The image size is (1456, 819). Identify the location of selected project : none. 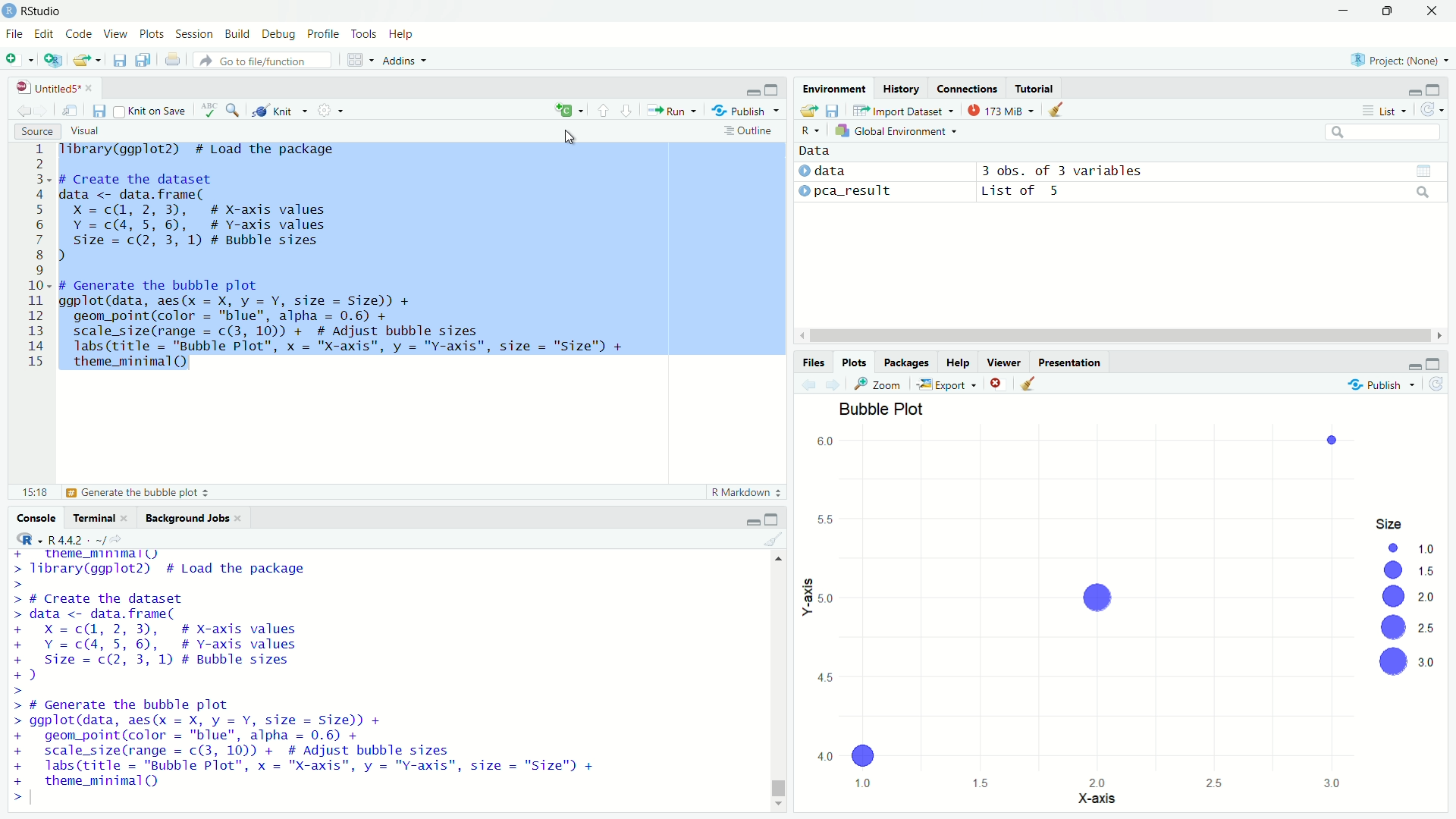
(1398, 59).